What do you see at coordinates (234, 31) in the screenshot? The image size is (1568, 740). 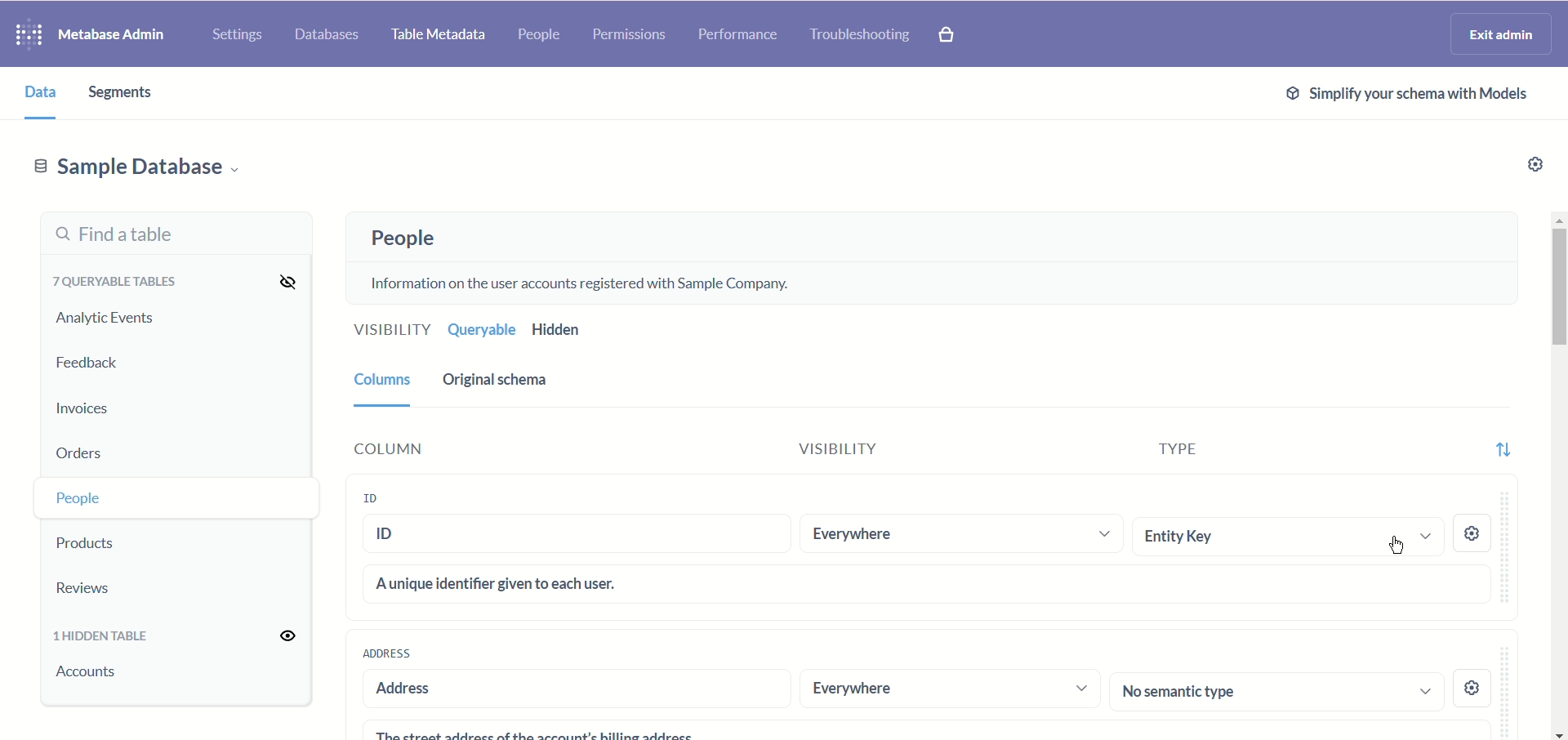 I see `Settings` at bounding box center [234, 31].